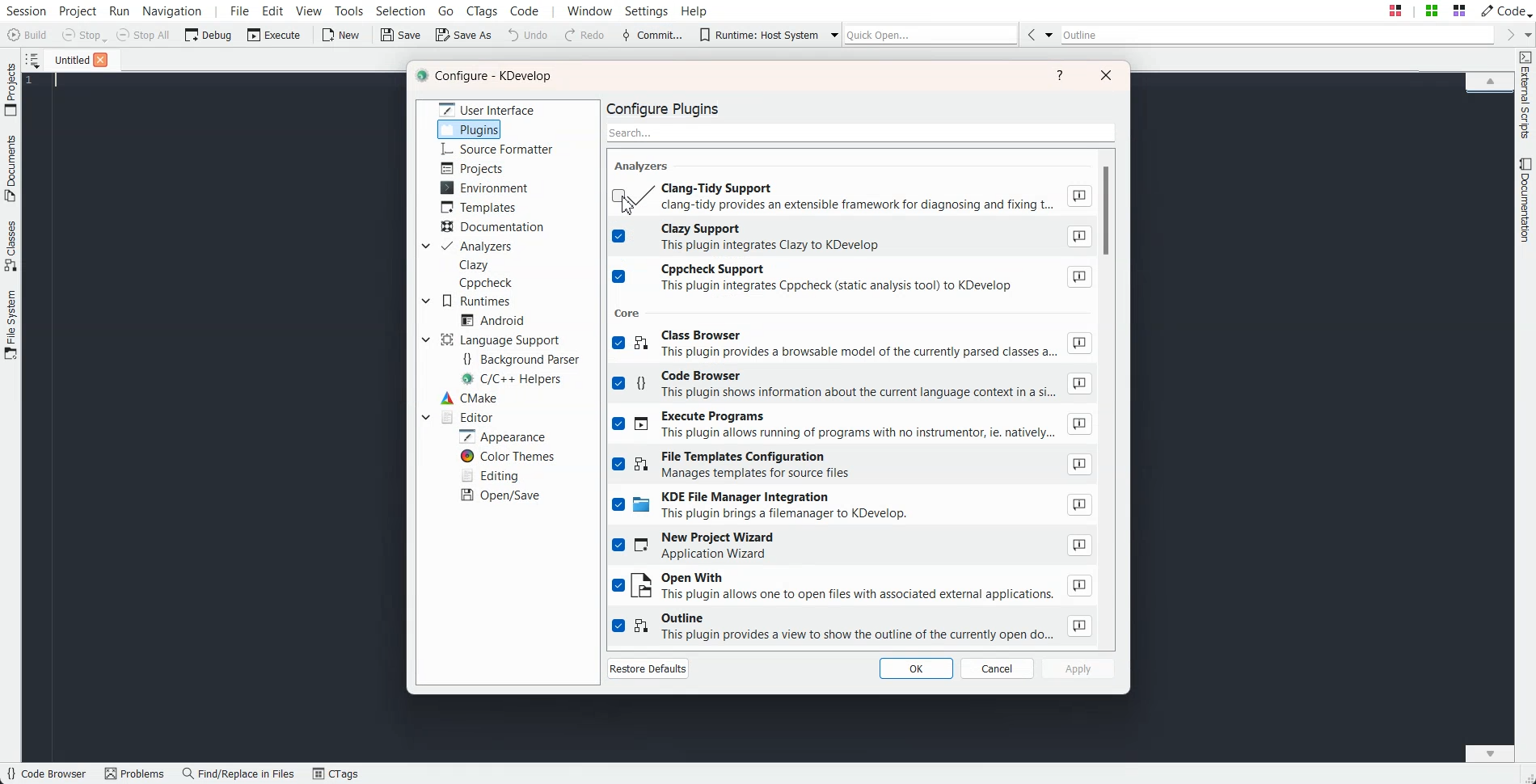 The image size is (1536, 784). What do you see at coordinates (11, 246) in the screenshot?
I see `Classes` at bounding box center [11, 246].